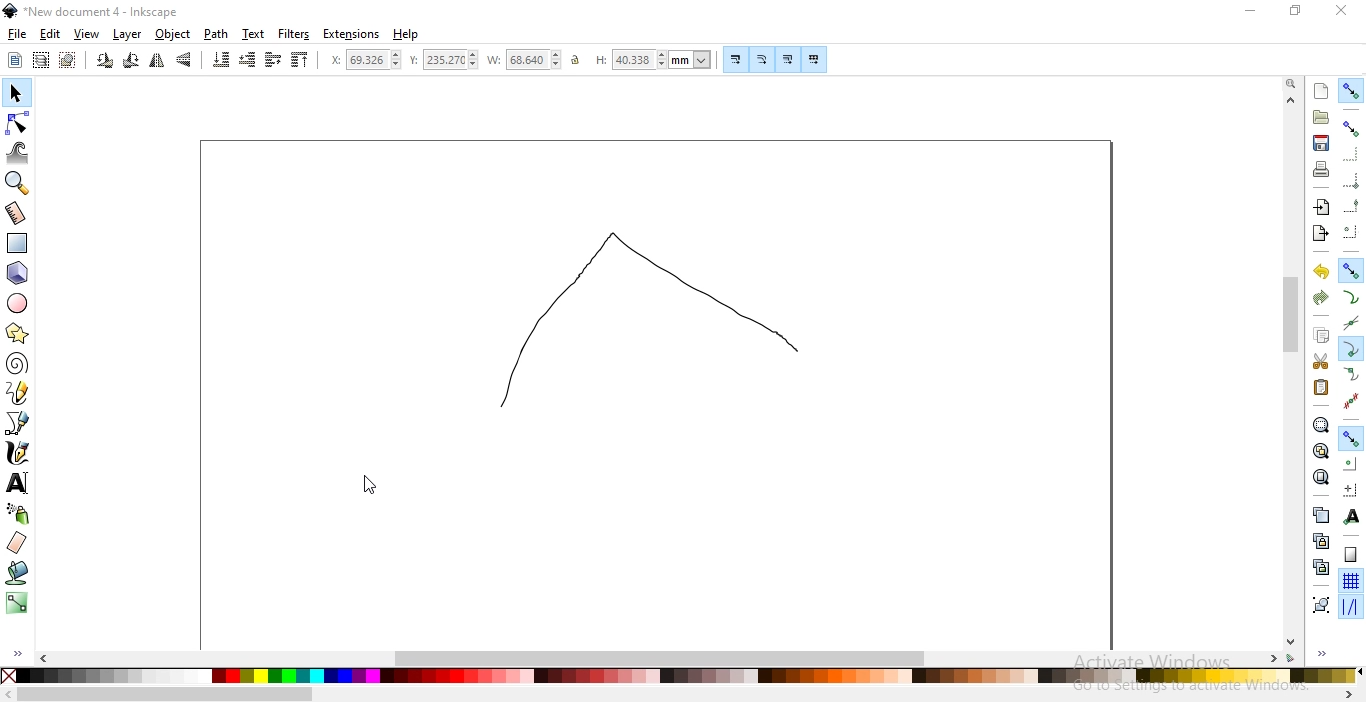  Describe the element at coordinates (787, 59) in the screenshot. I see `` at that location.